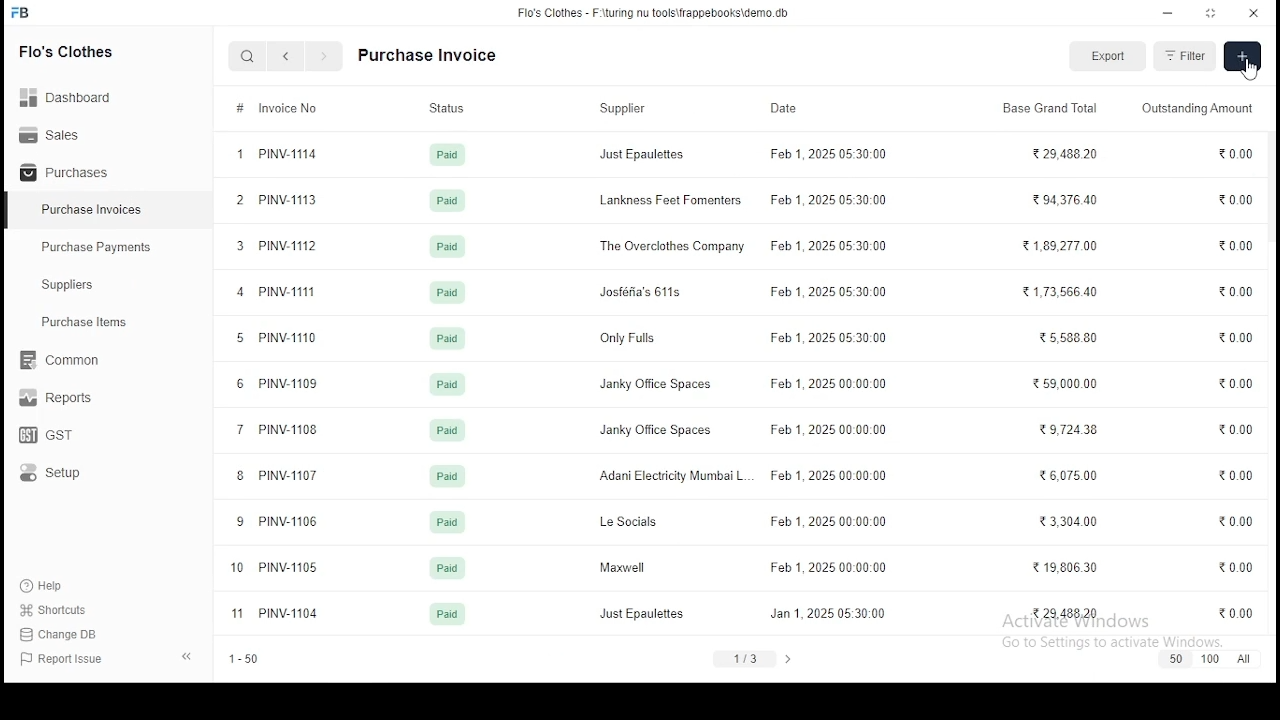 Image resolution: width=1280 pixels, height=720 pixels. I want to click on Adan Electricity Mumbai L., so click(674, 477).